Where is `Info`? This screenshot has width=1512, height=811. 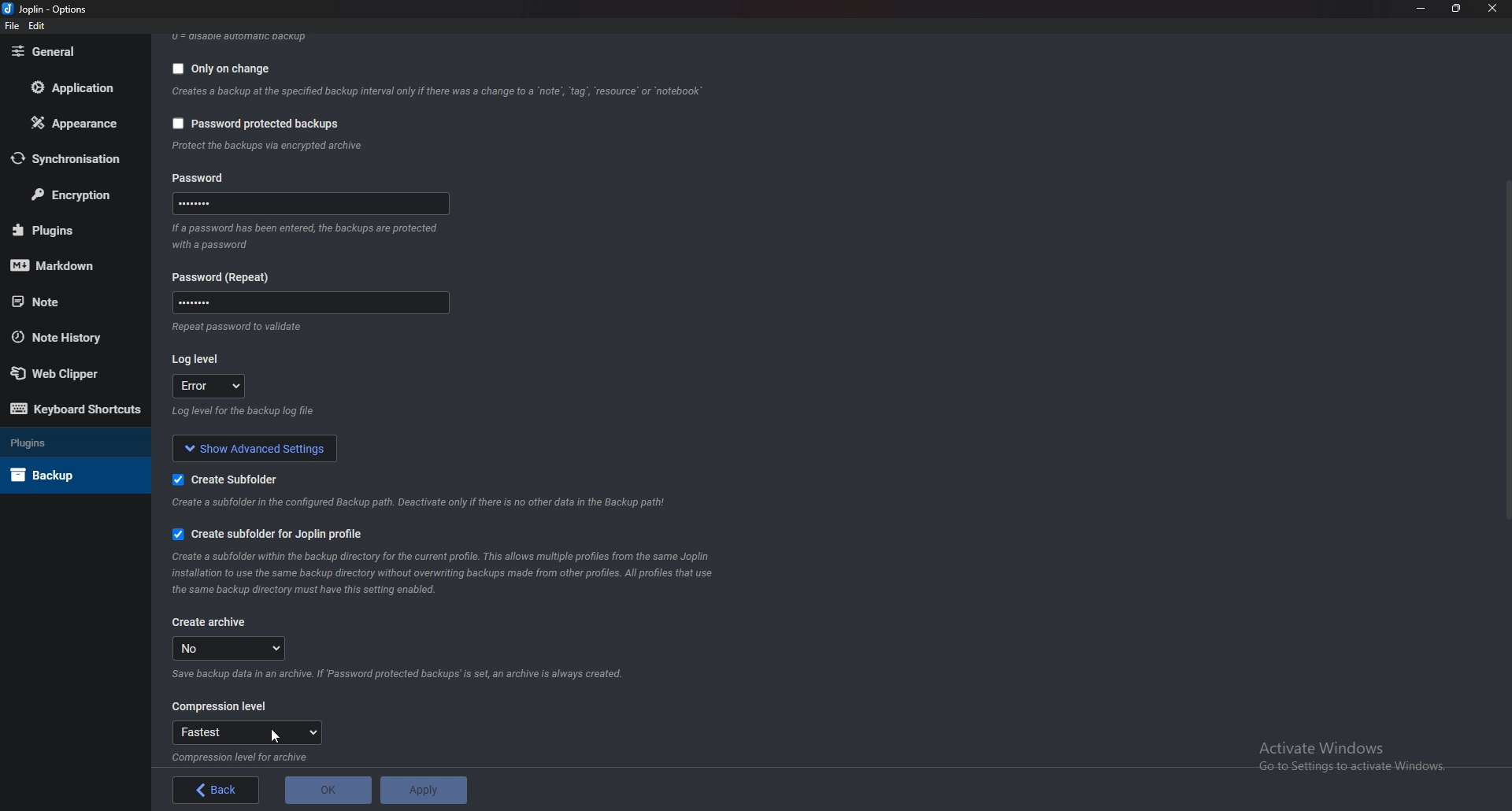
Info is located at coordinates (246, 757).